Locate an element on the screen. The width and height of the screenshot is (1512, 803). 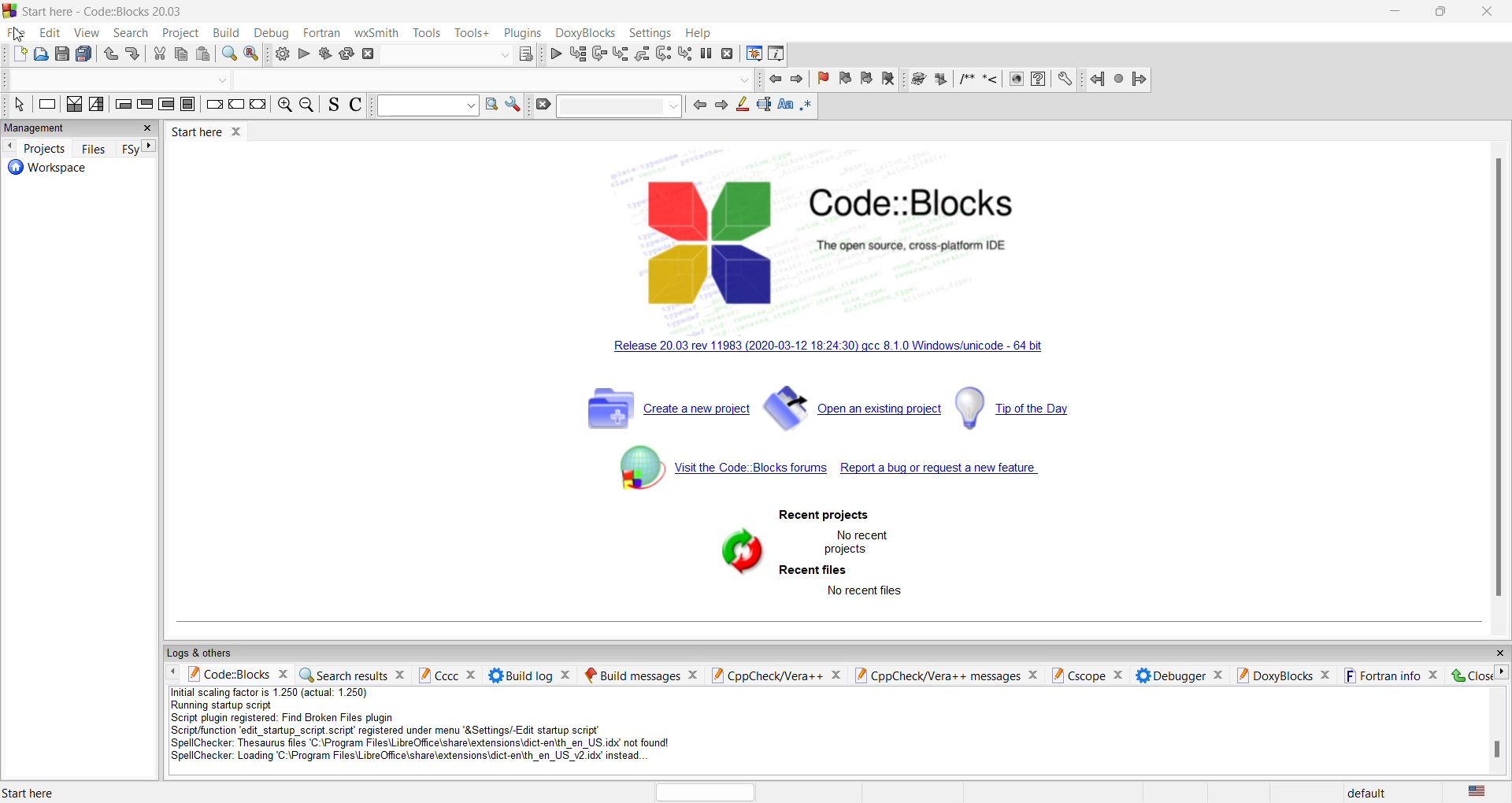
standard selection is located at coordinates (762, 107).